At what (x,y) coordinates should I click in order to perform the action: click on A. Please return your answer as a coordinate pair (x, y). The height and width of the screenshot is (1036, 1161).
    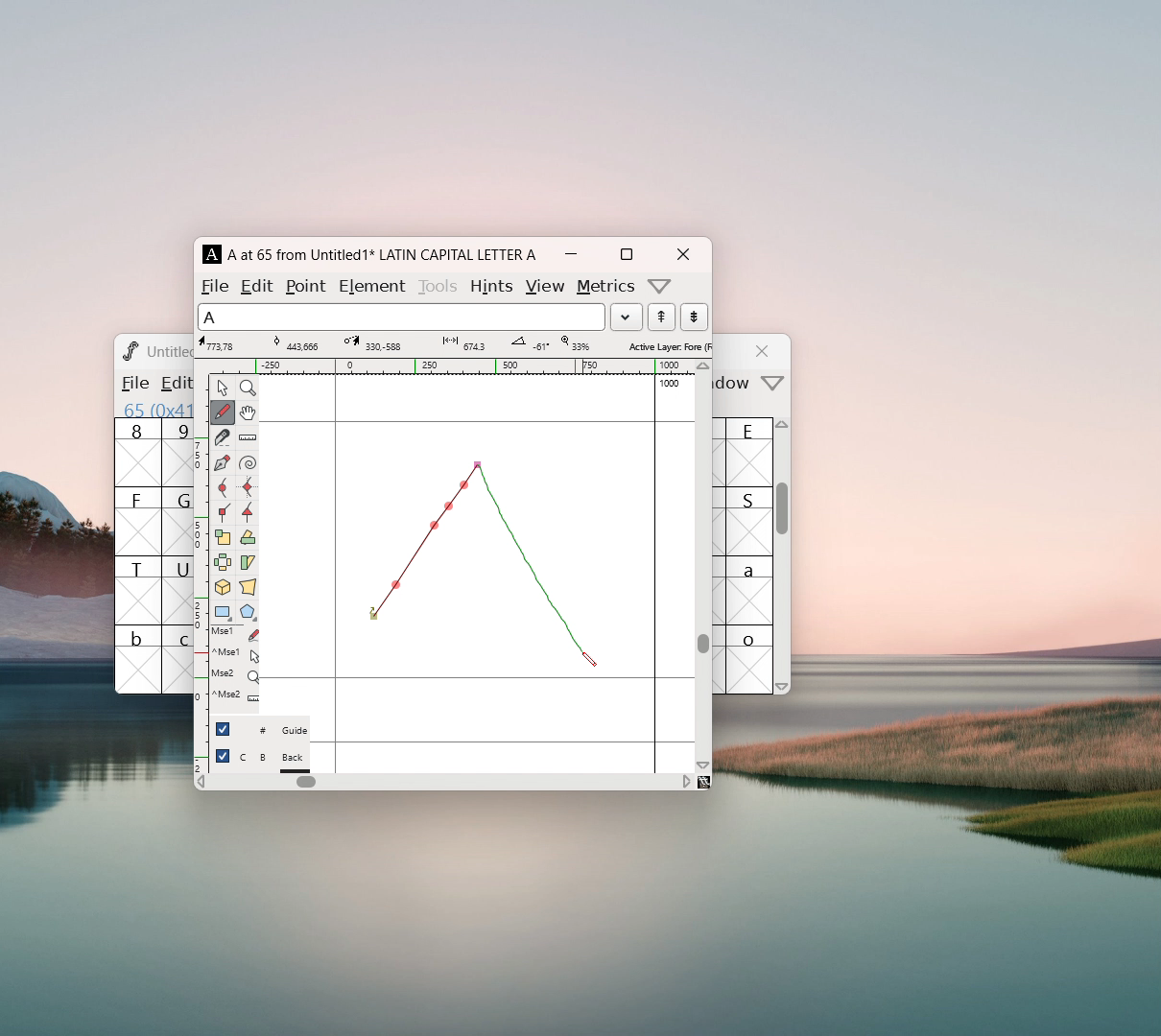
    Looking at the image, I should click on (213, 254).